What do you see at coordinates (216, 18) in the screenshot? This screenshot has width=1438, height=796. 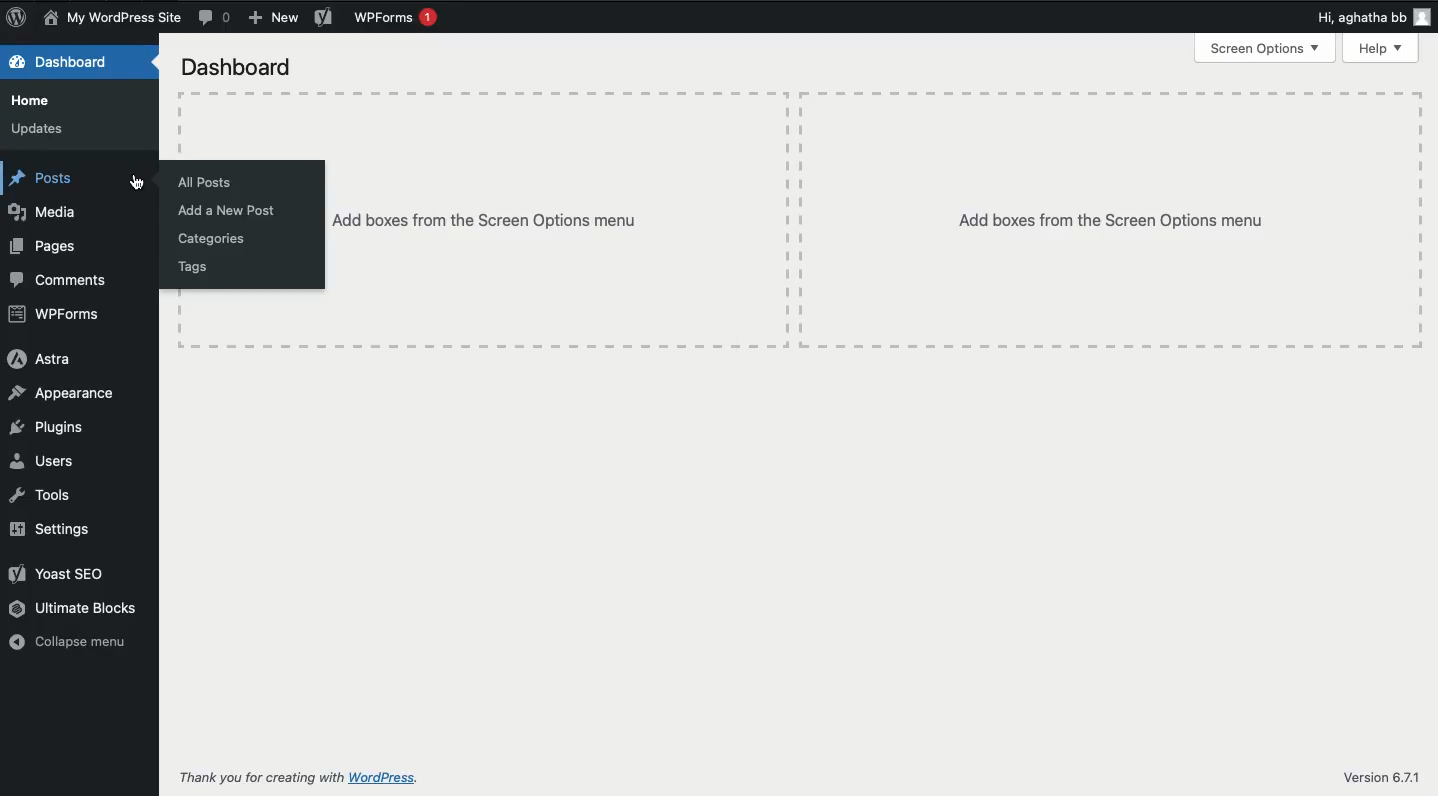 I see `Comments` at bounding box center [216, 18].